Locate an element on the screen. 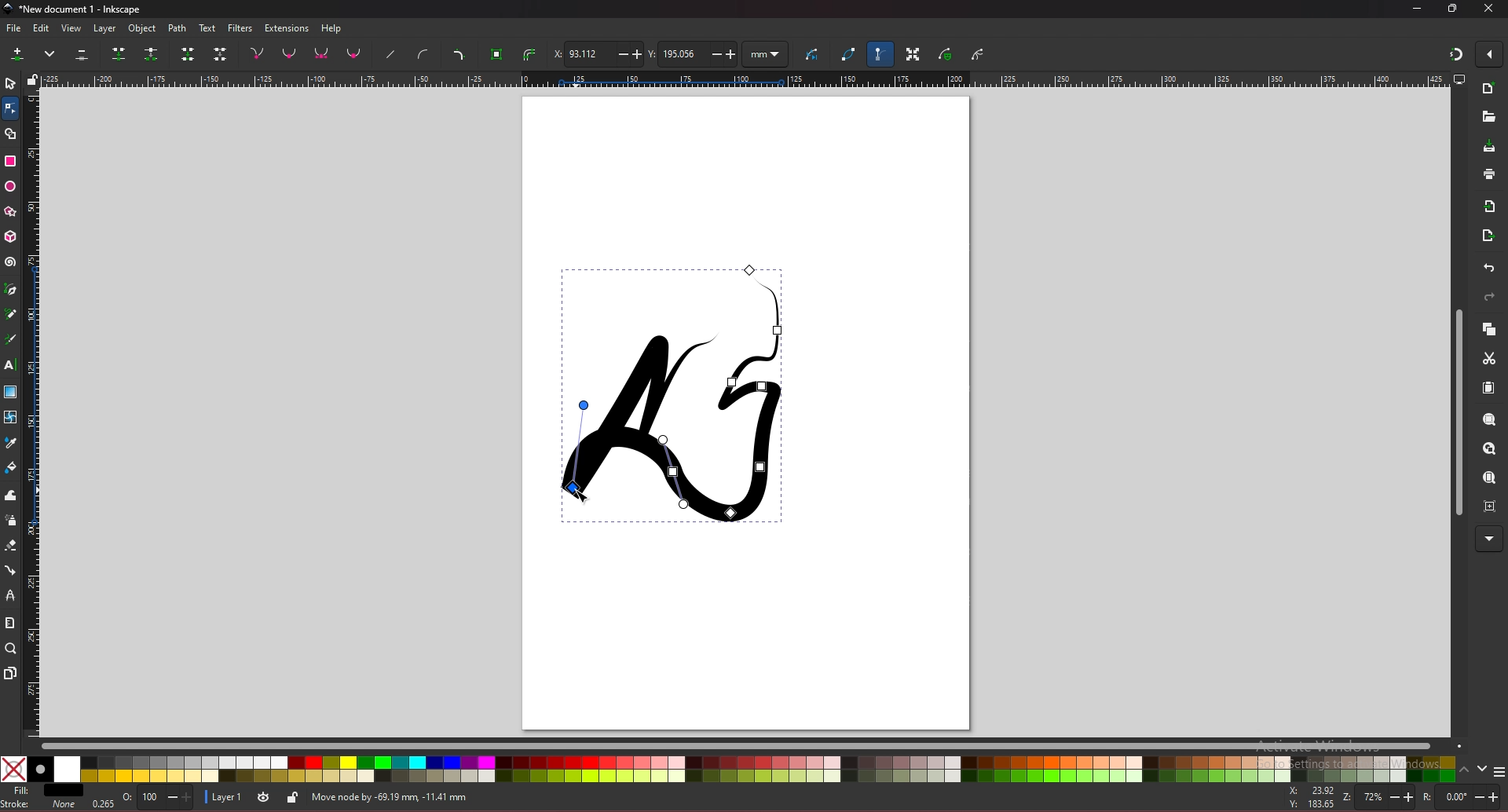 The width and height of the screenshot is (1508, 812). more colors is located at coordinates (1499, 770).